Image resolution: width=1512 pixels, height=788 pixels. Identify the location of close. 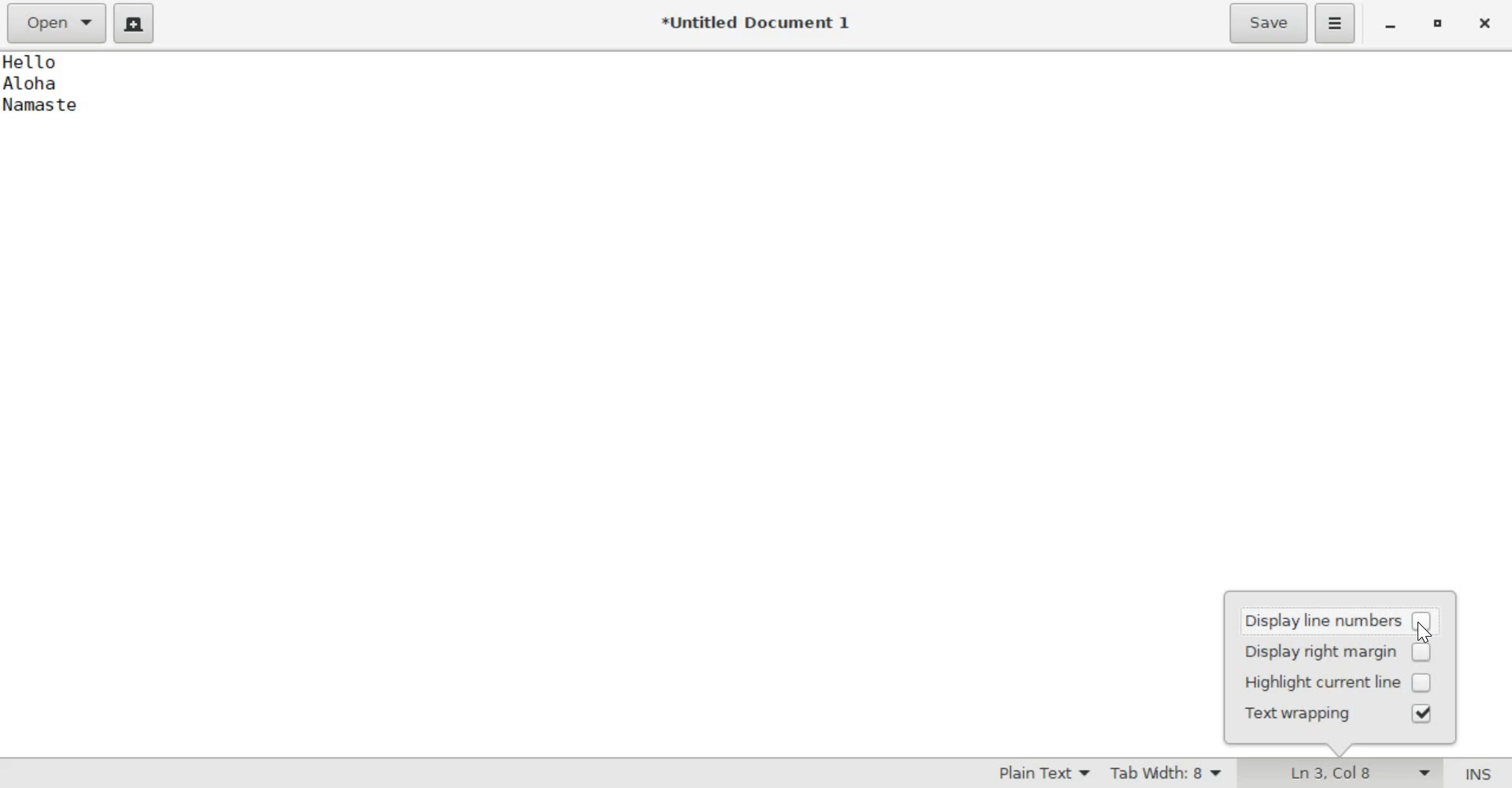
(1488, 24).